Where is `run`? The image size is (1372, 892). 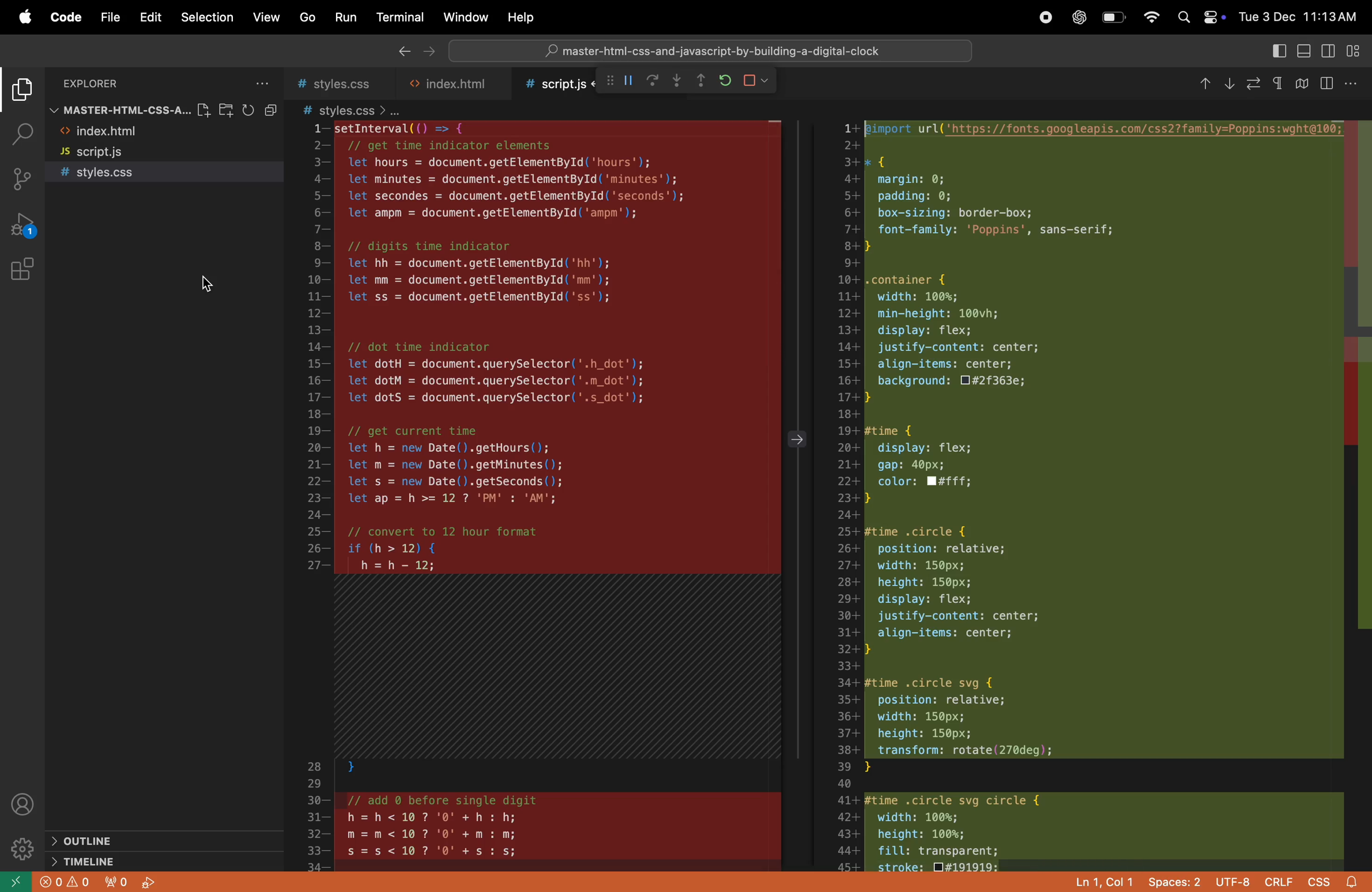 run is located at coordinates (345, 16).